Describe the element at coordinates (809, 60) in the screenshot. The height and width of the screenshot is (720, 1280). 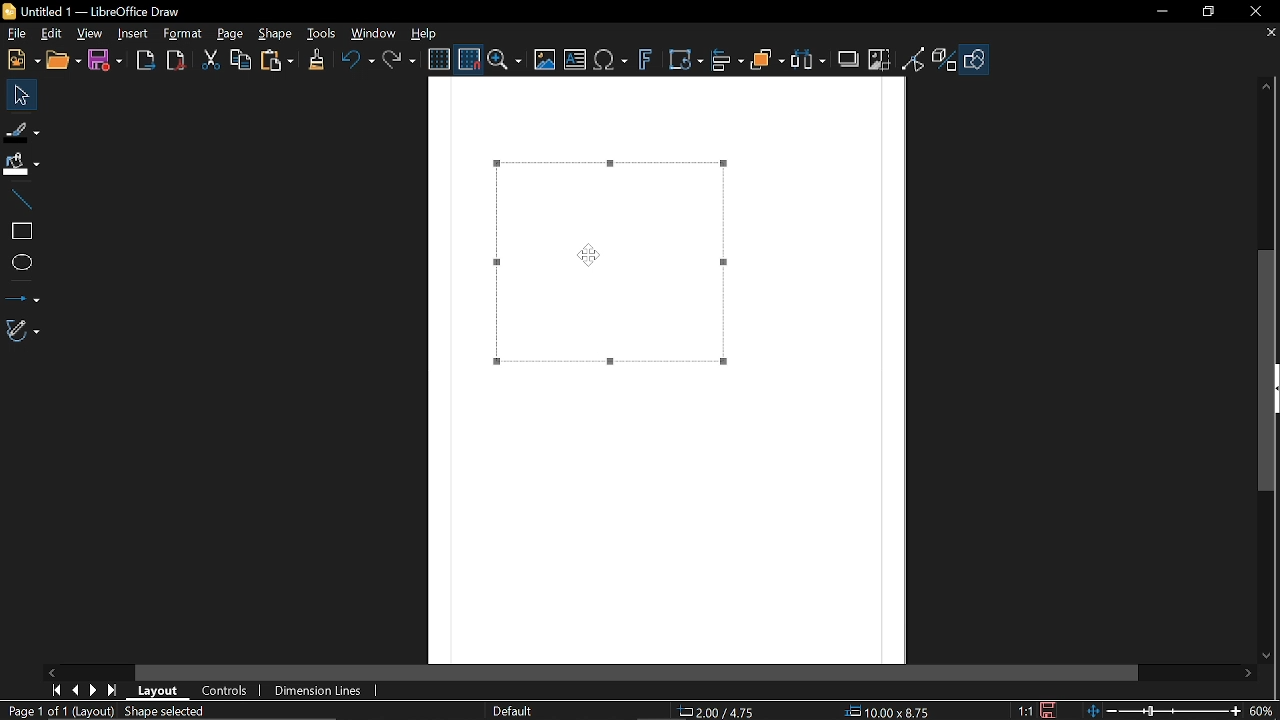
I see `Select at least three objects to distribute` at that location.